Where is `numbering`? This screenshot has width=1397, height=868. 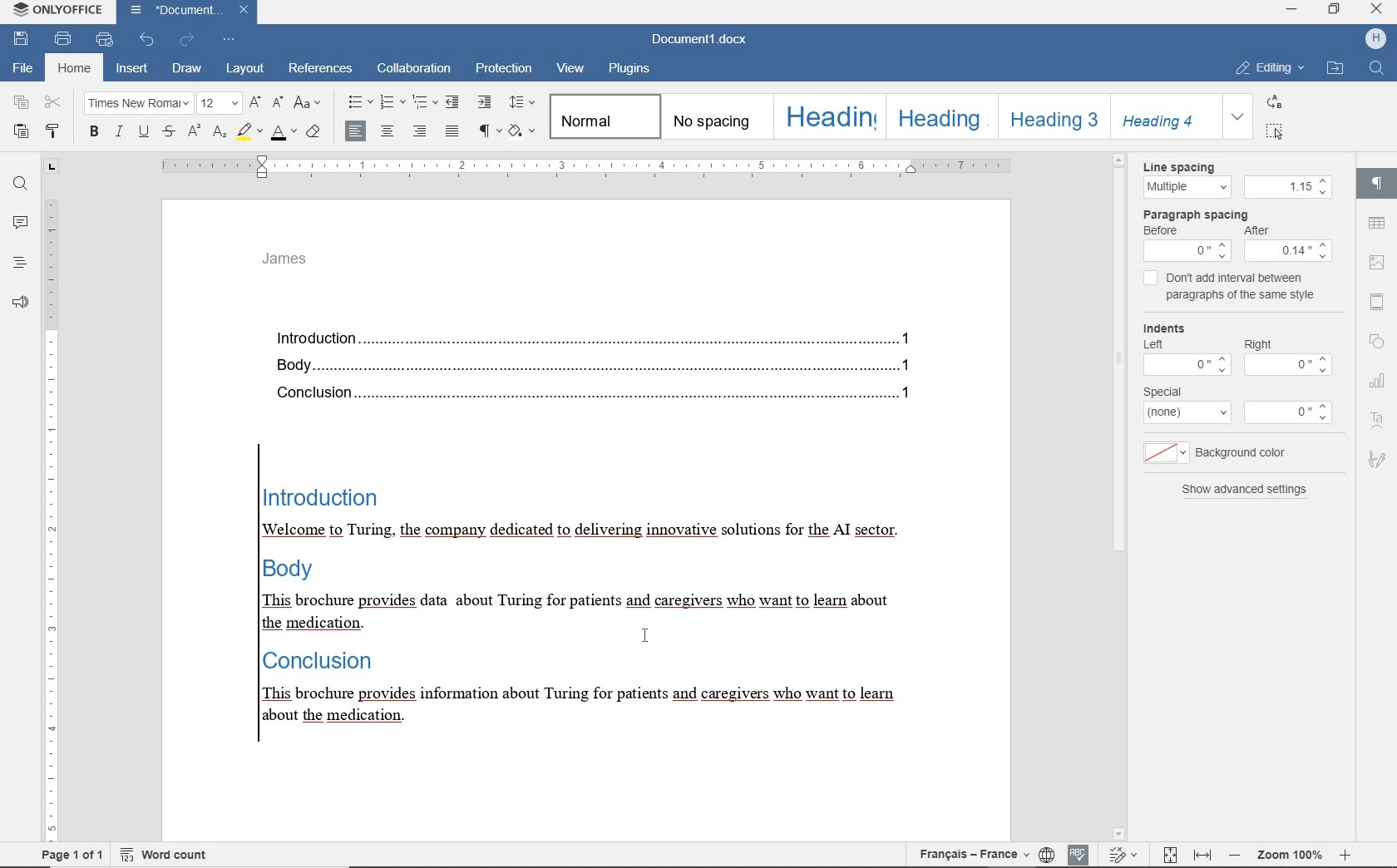 numbering is located at coordinates (392, 101).